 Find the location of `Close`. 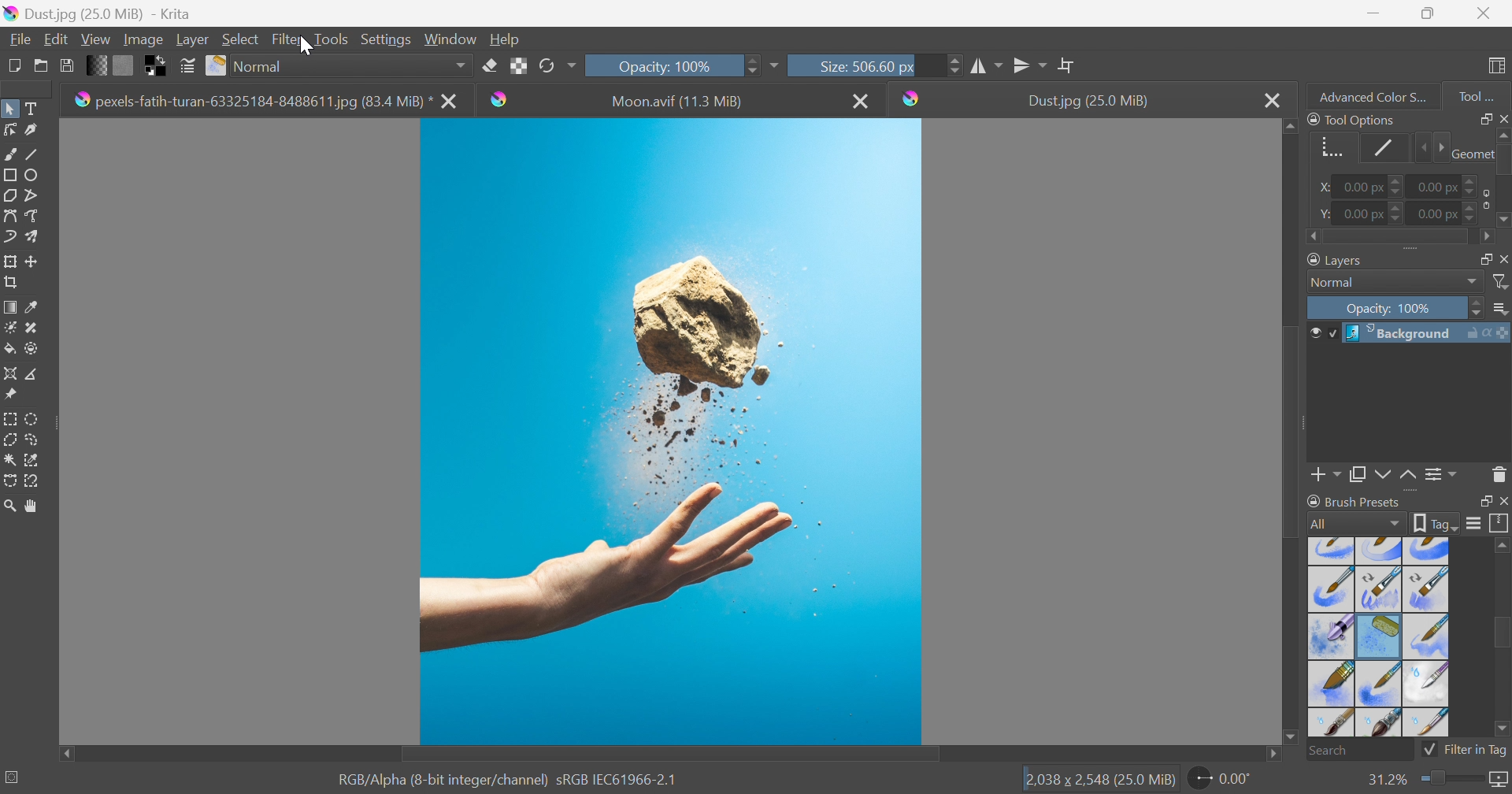

Close is located at coordinates (862, 100).